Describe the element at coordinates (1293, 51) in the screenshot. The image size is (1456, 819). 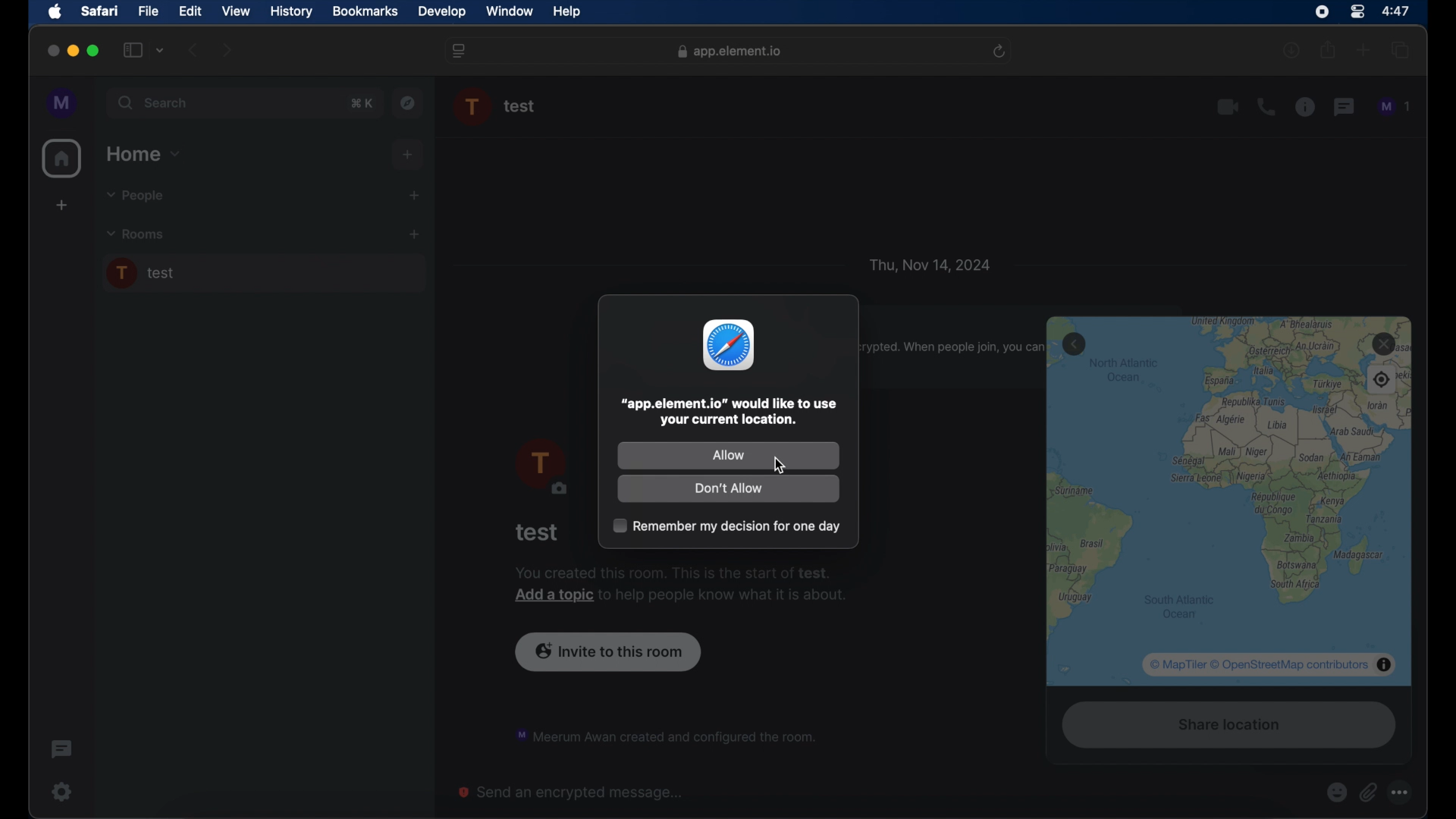
I see `downloads` at that location.